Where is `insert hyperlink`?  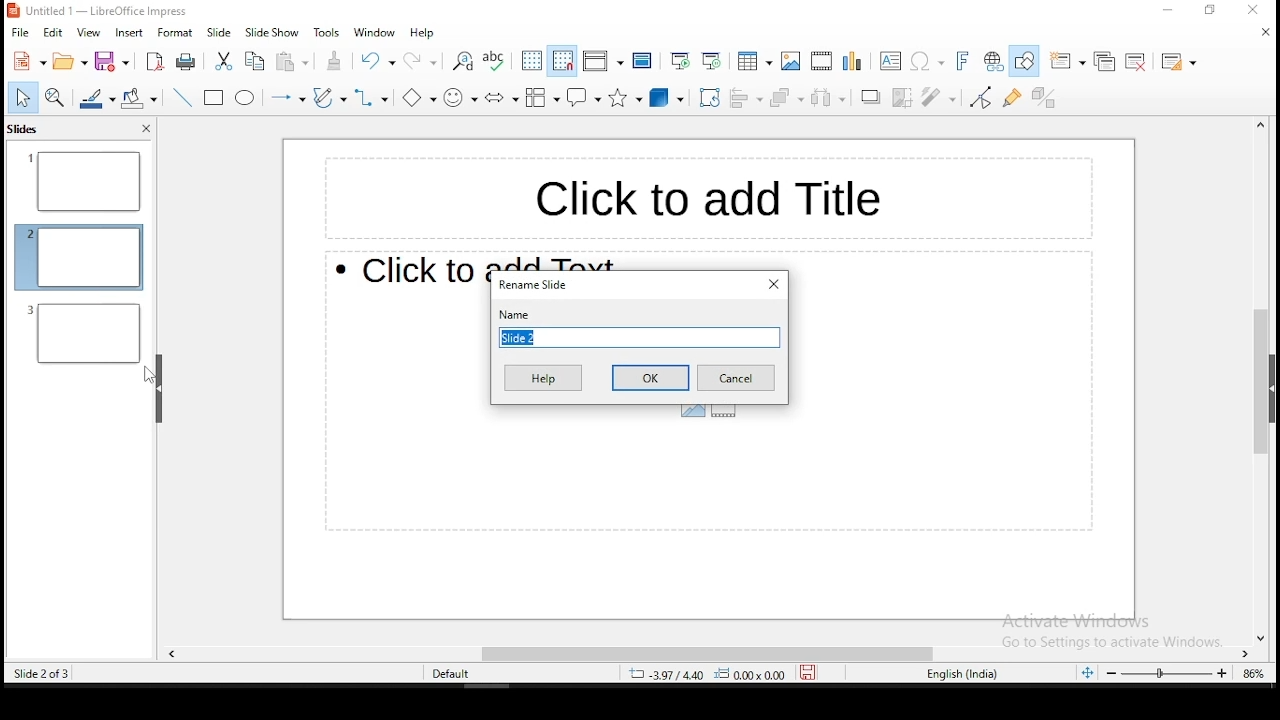
insert hyperlink is located at coordinates (991, 60).